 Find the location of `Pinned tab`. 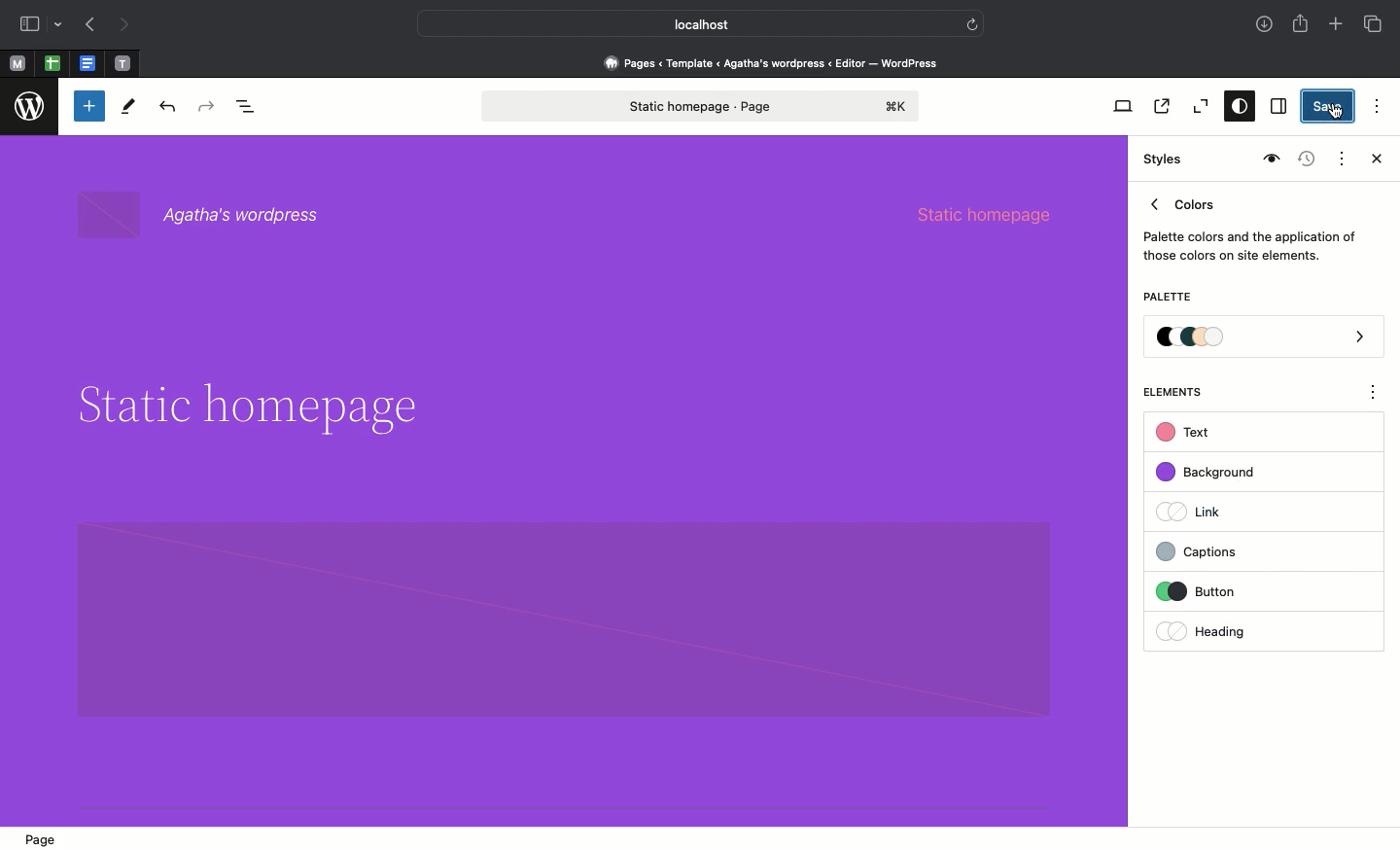

Pinned tab is located at coordinates (17, 64).